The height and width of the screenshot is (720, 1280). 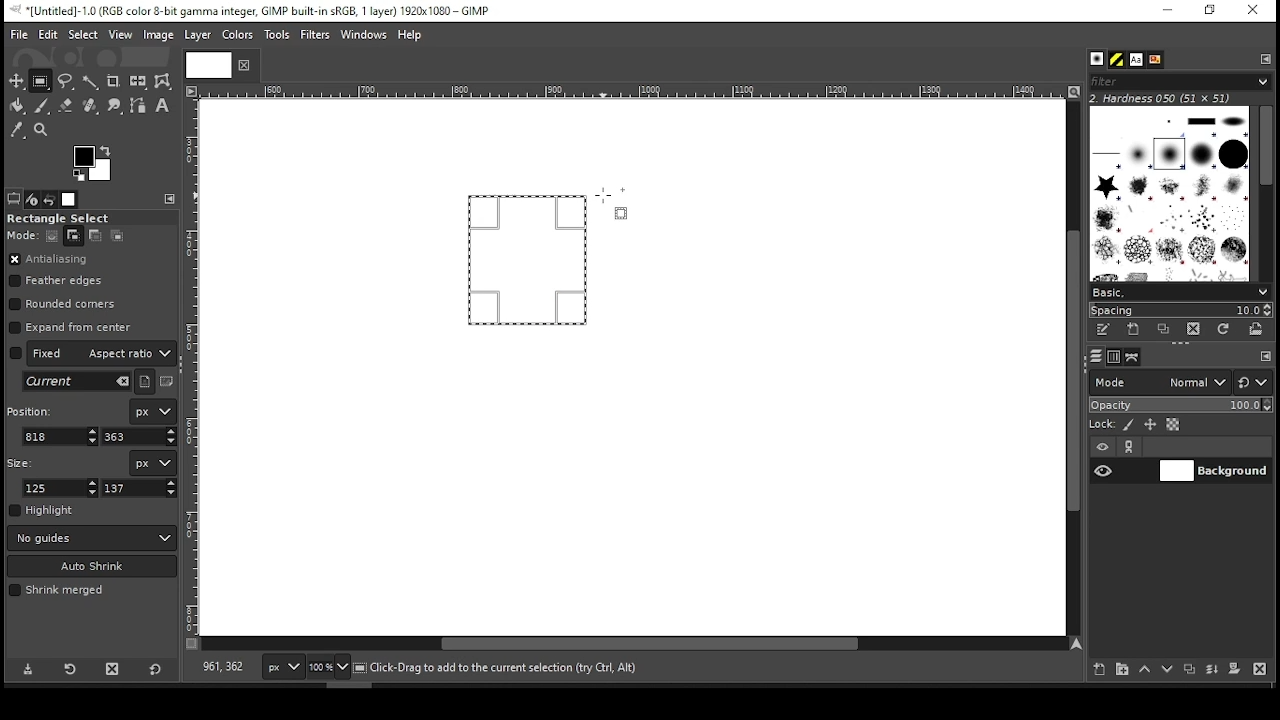 What do you see at coordinates (71, 325) in the screenshot?
I see `expand from center` at bounding box center [71, 325].